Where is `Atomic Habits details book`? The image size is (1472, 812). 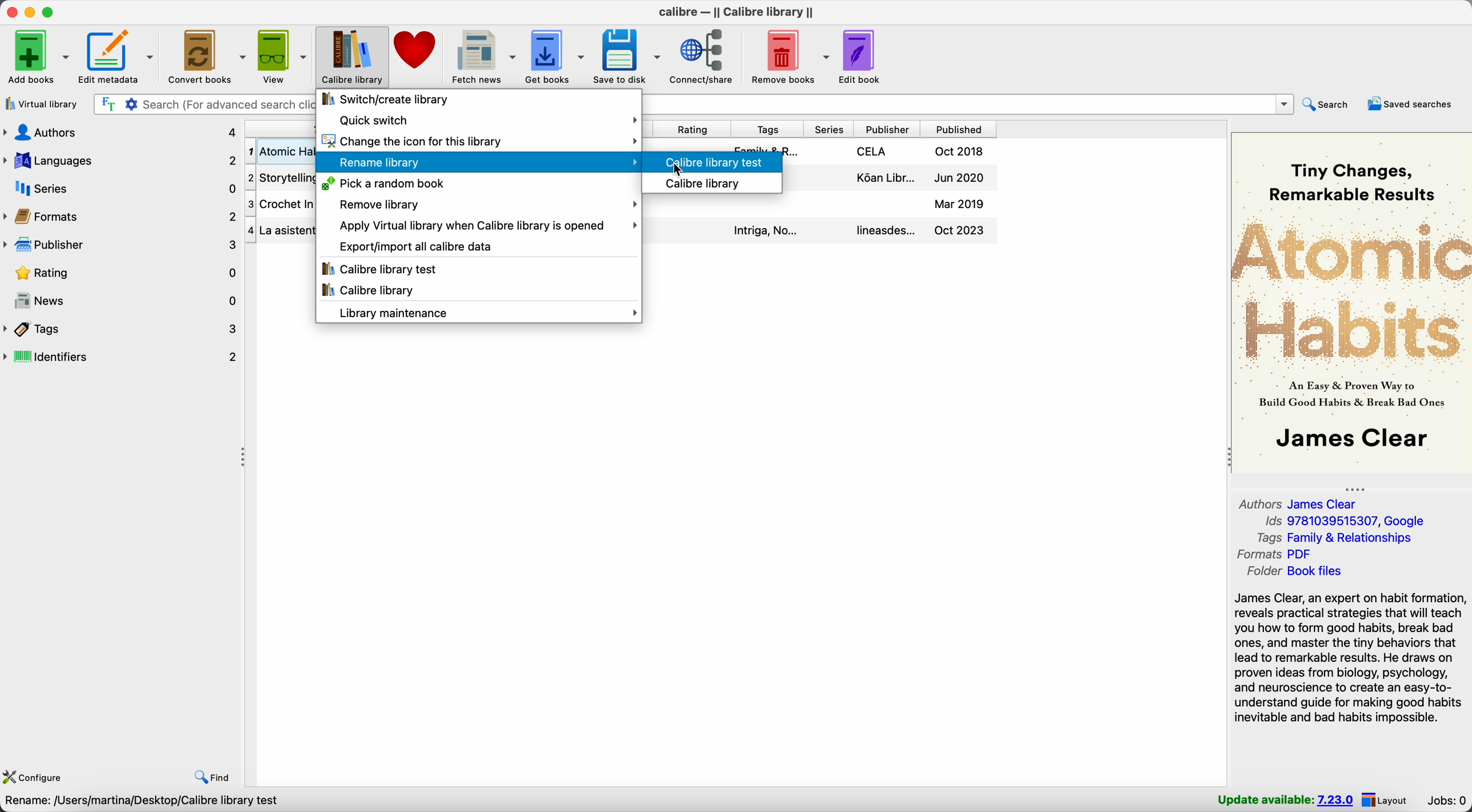
Atomic Habits details book is located at coordinates (821, 146).